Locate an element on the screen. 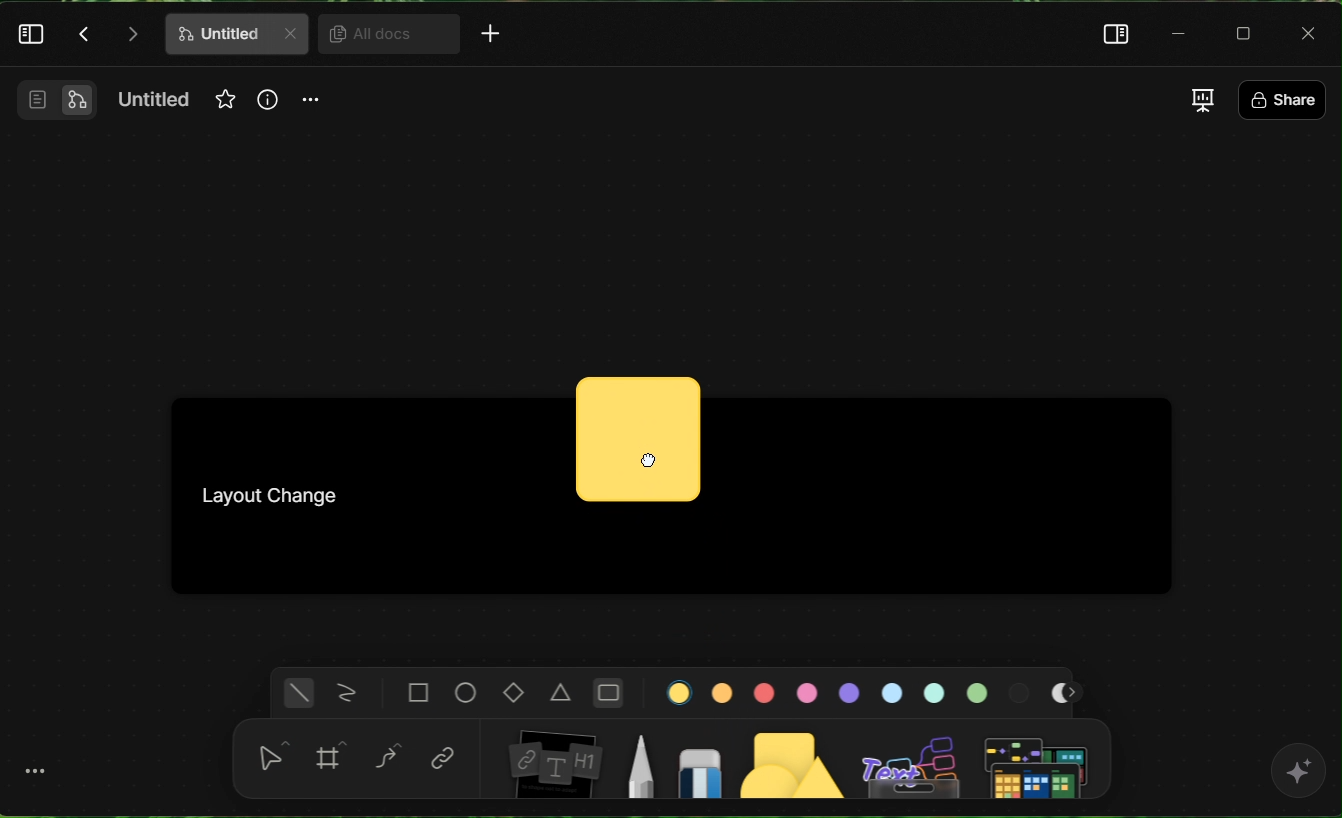  doc is located at coordinates (237, 34).